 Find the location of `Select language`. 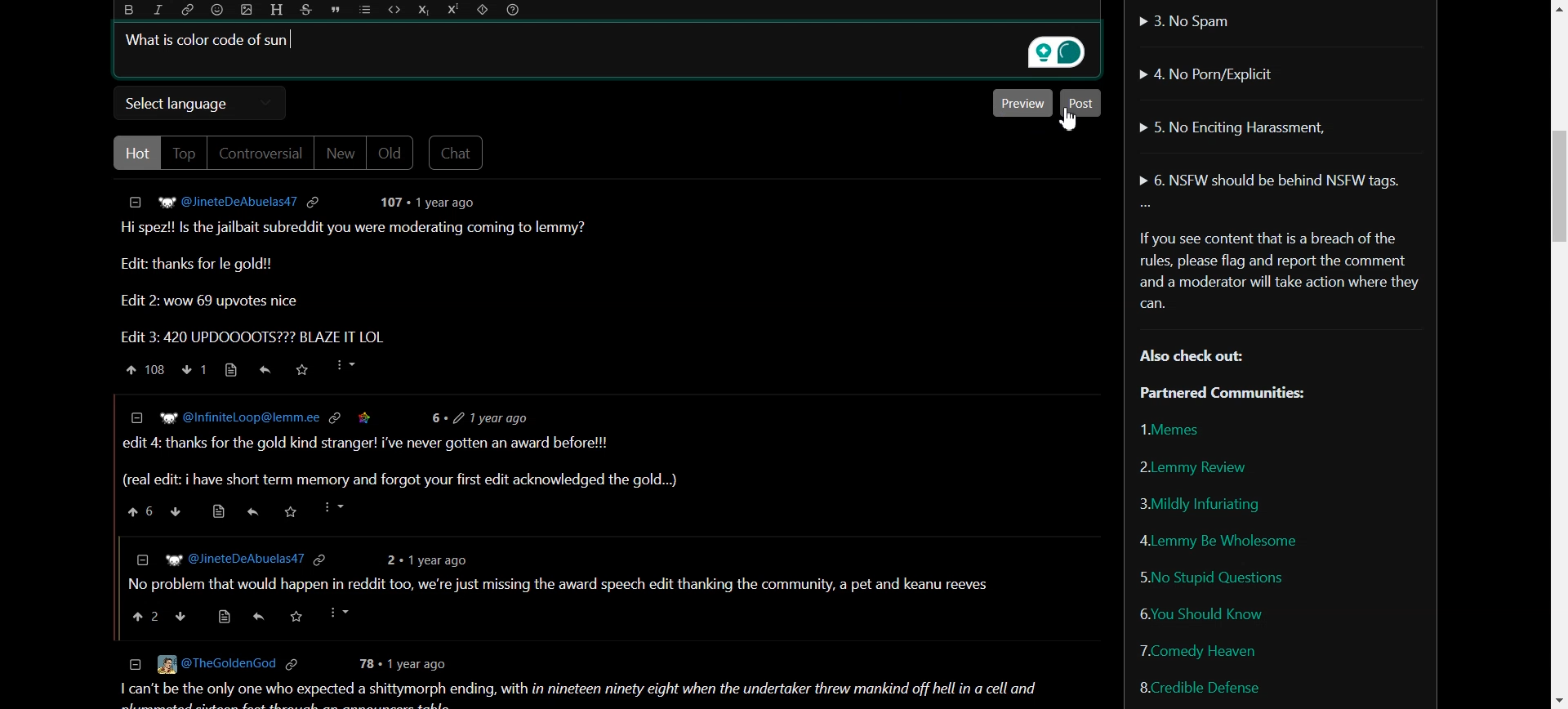

Select language is located at coordinates (201, 103).